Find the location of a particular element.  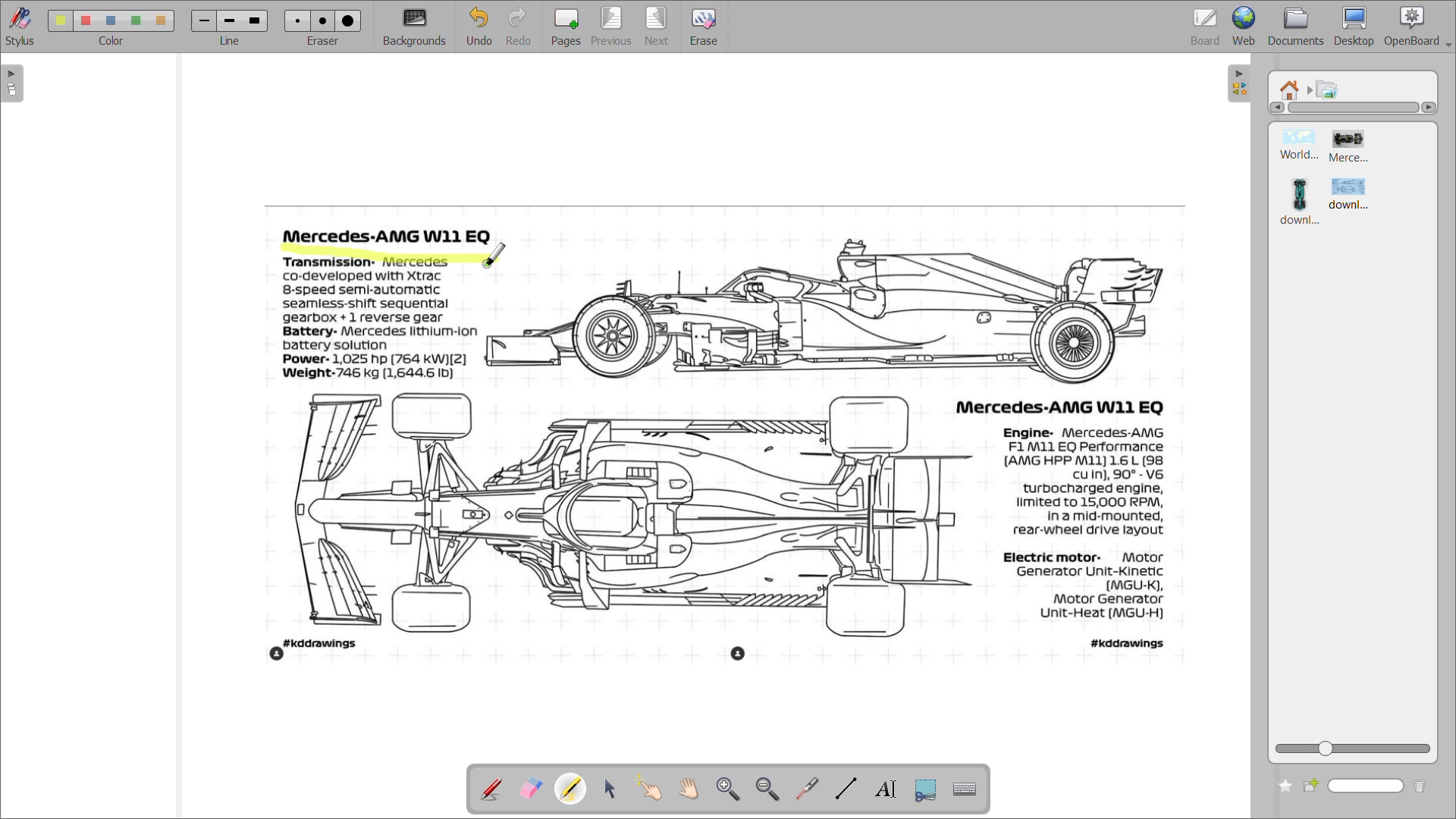

image is located at coordinates (727, 432).